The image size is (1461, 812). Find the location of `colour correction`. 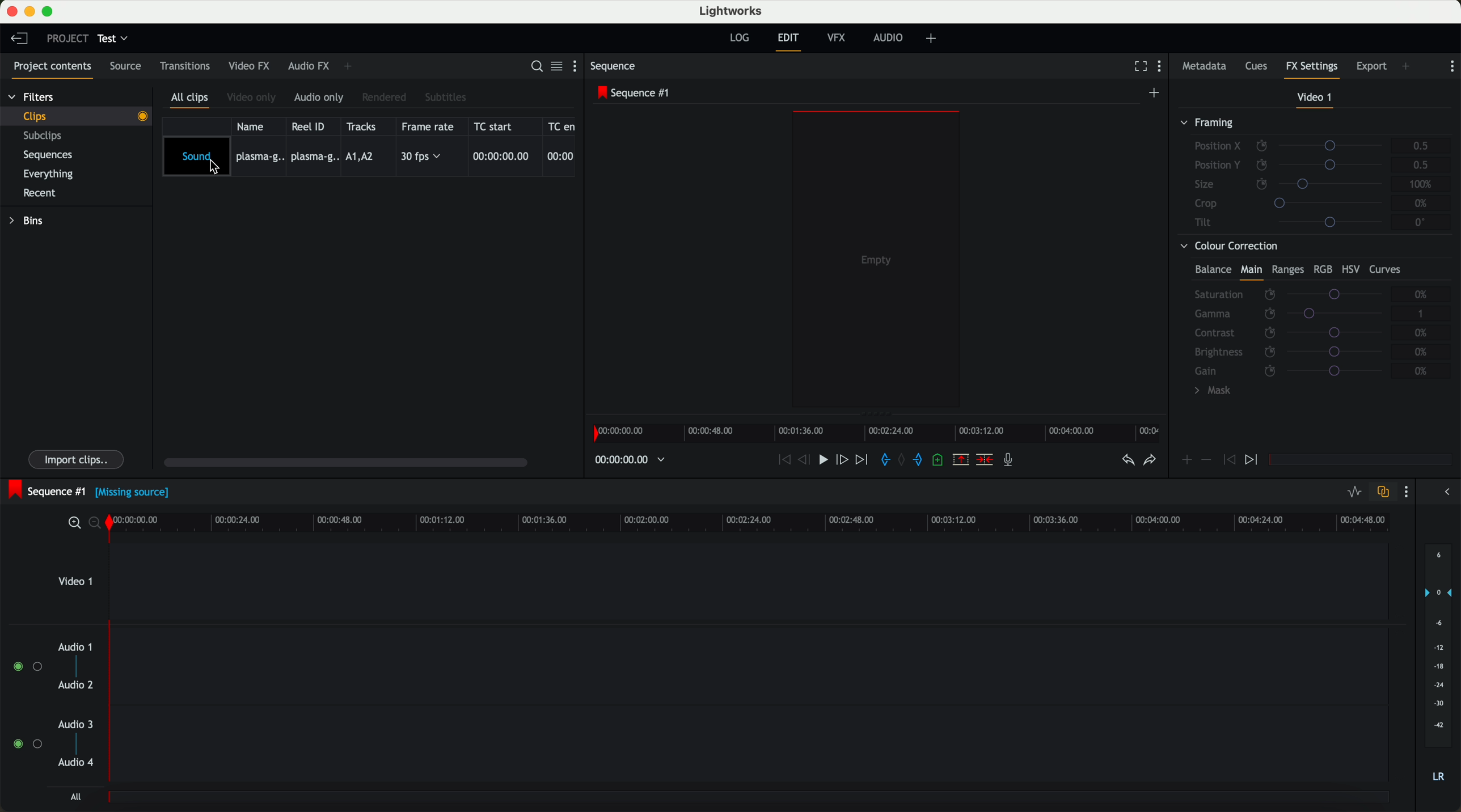

colour correction is located at coordinates (1310, 322).